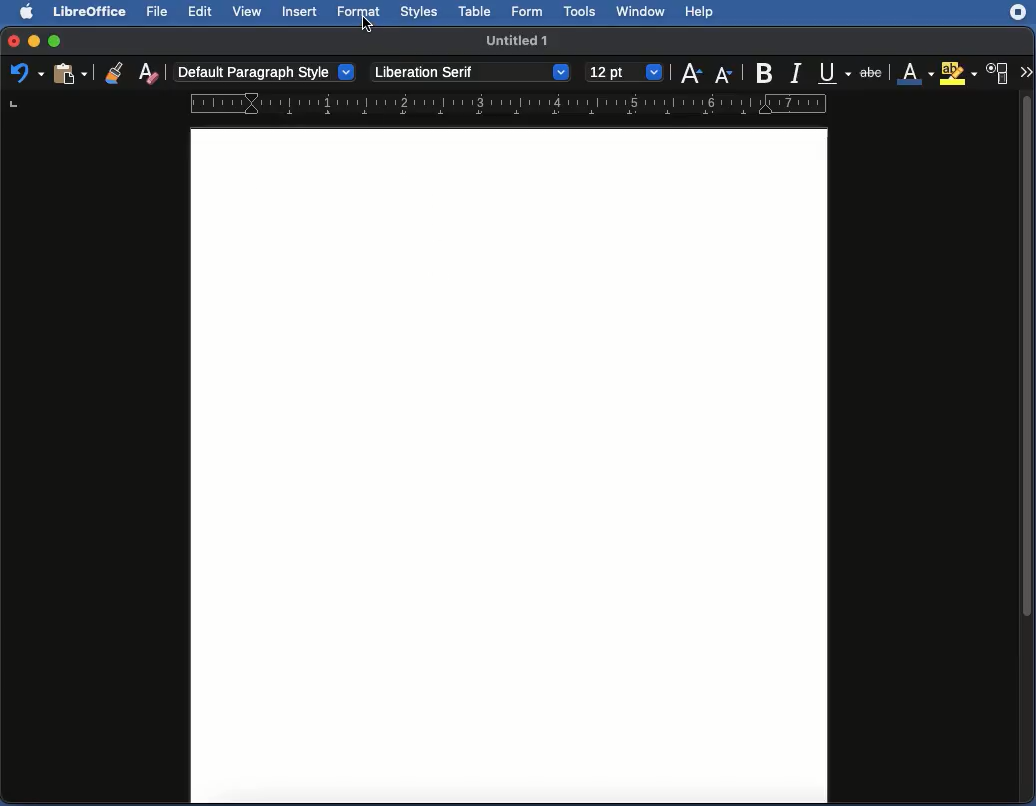  What do you see at coordinates (1029, 446) in the screenshot?
I see `Scroll bar` at bounding box center [1029, 446].